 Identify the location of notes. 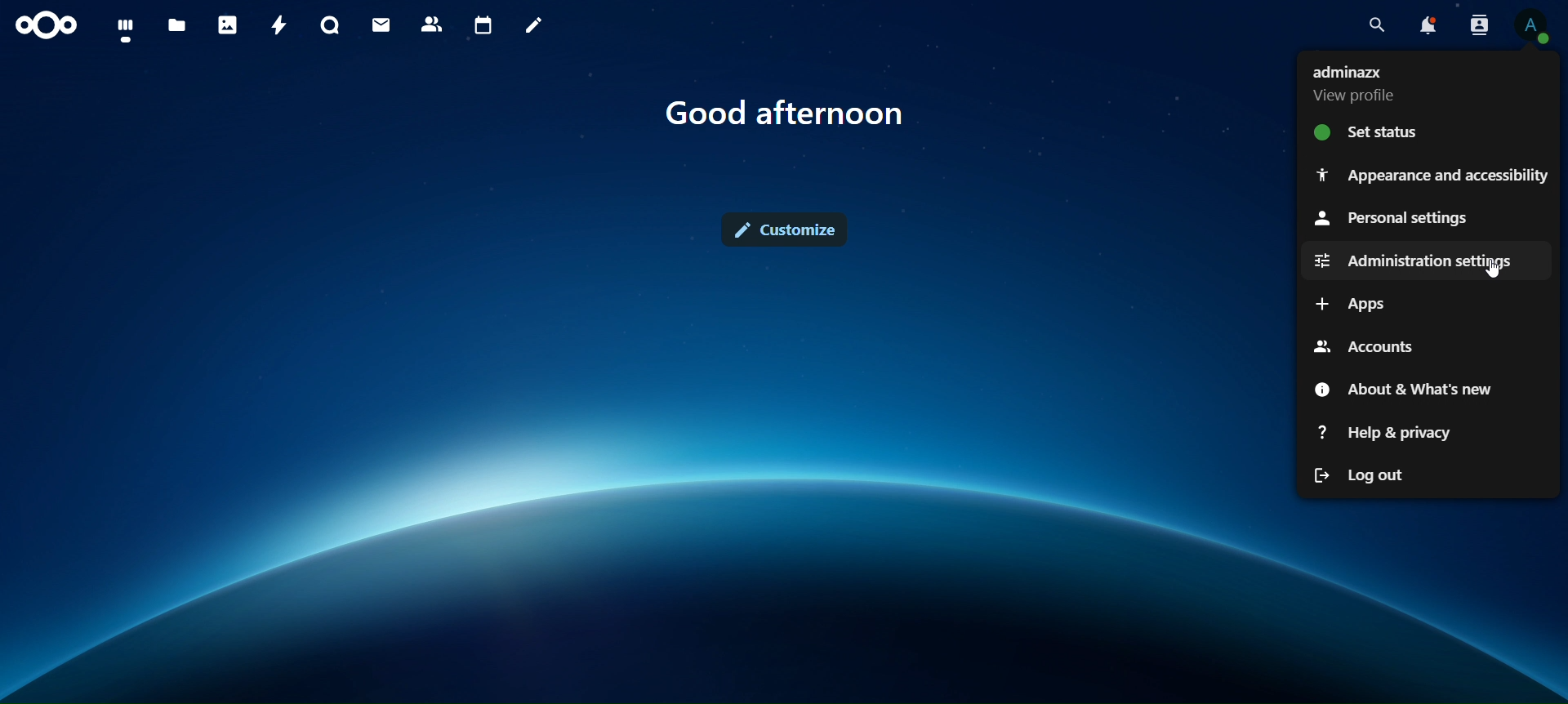
(535, 28).